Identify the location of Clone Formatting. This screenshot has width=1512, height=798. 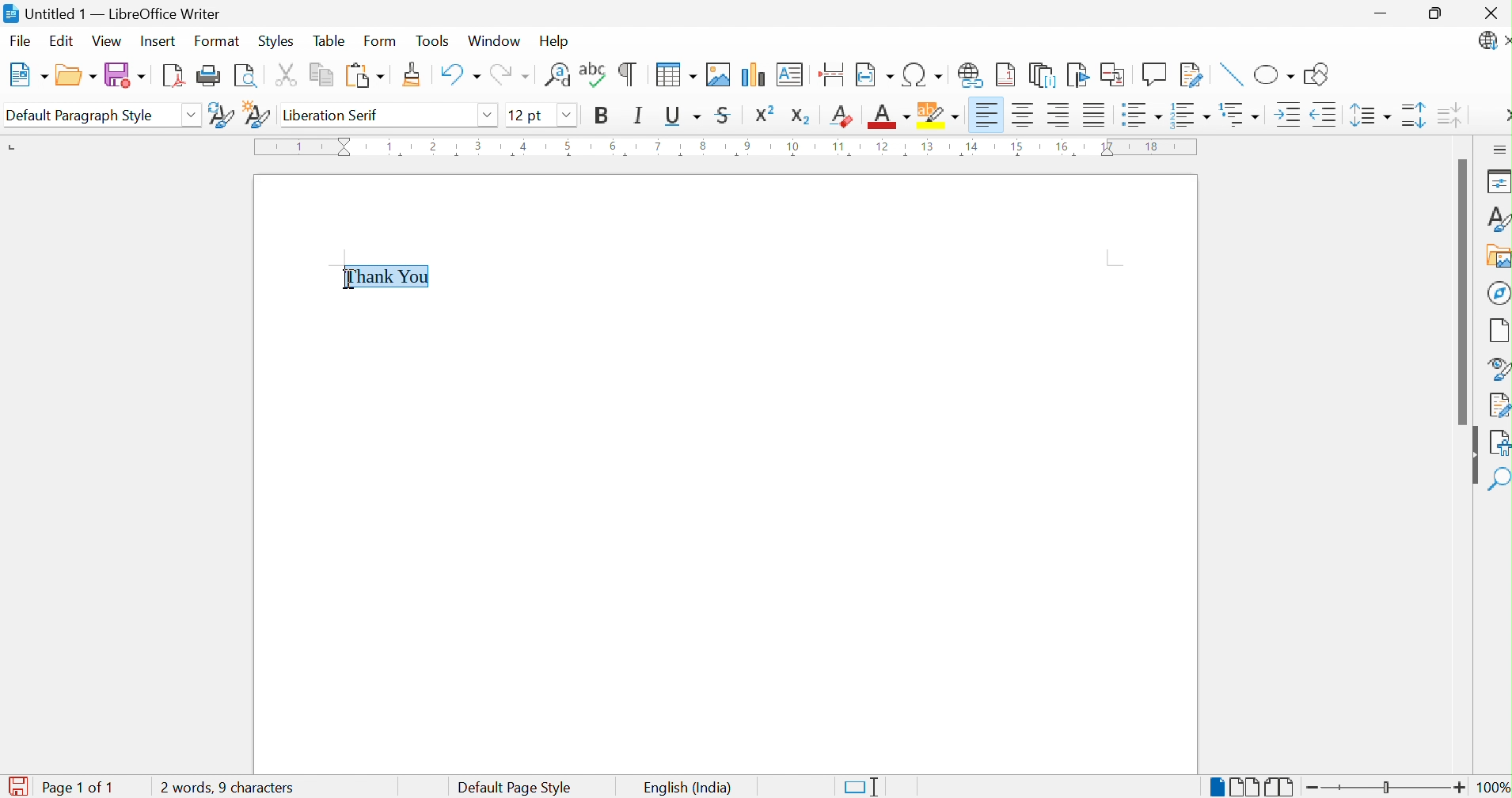
(412, 74).